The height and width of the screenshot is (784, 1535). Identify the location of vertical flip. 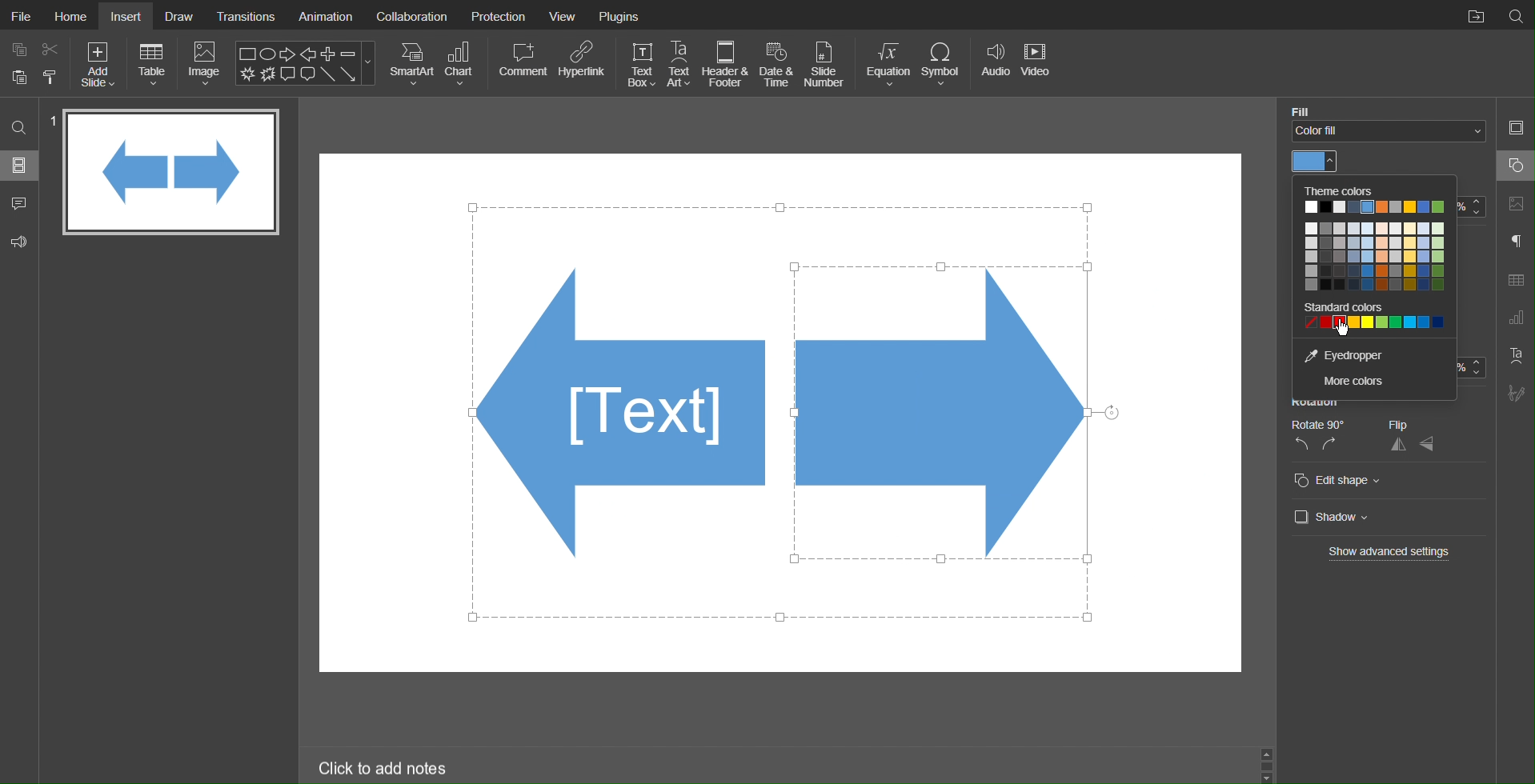
(1429, 443).